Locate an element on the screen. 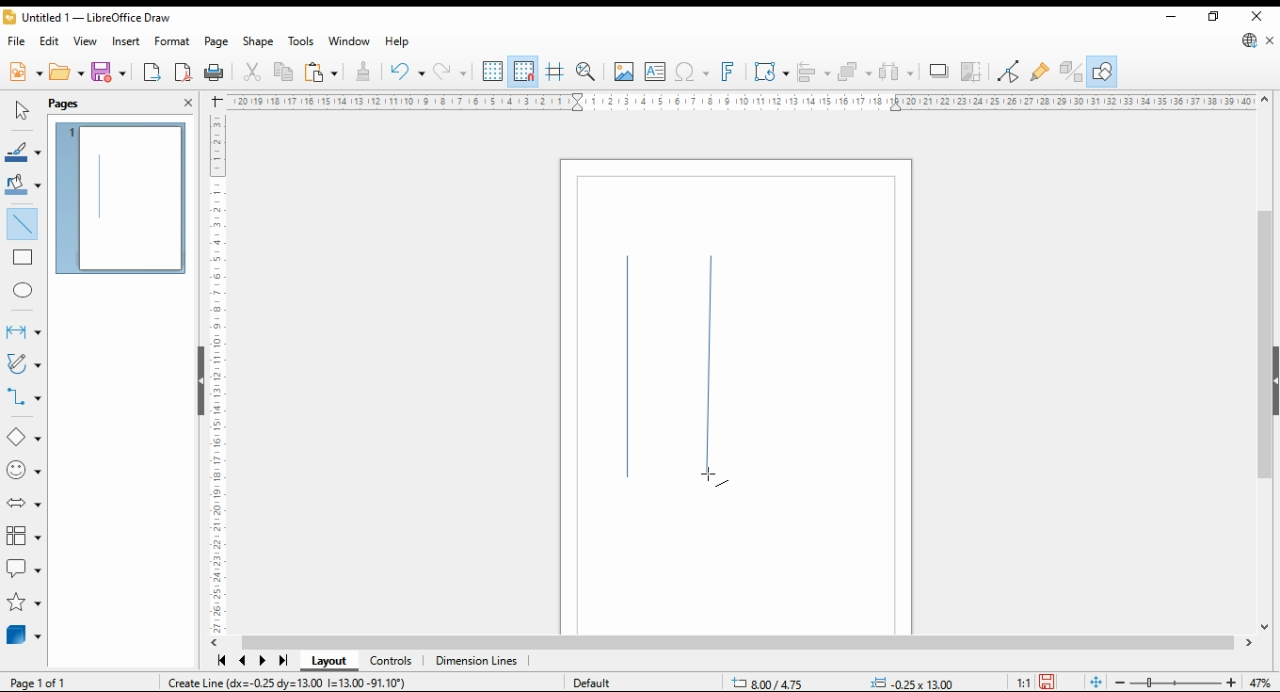  clone formatting is located at coordinates (362, 70).